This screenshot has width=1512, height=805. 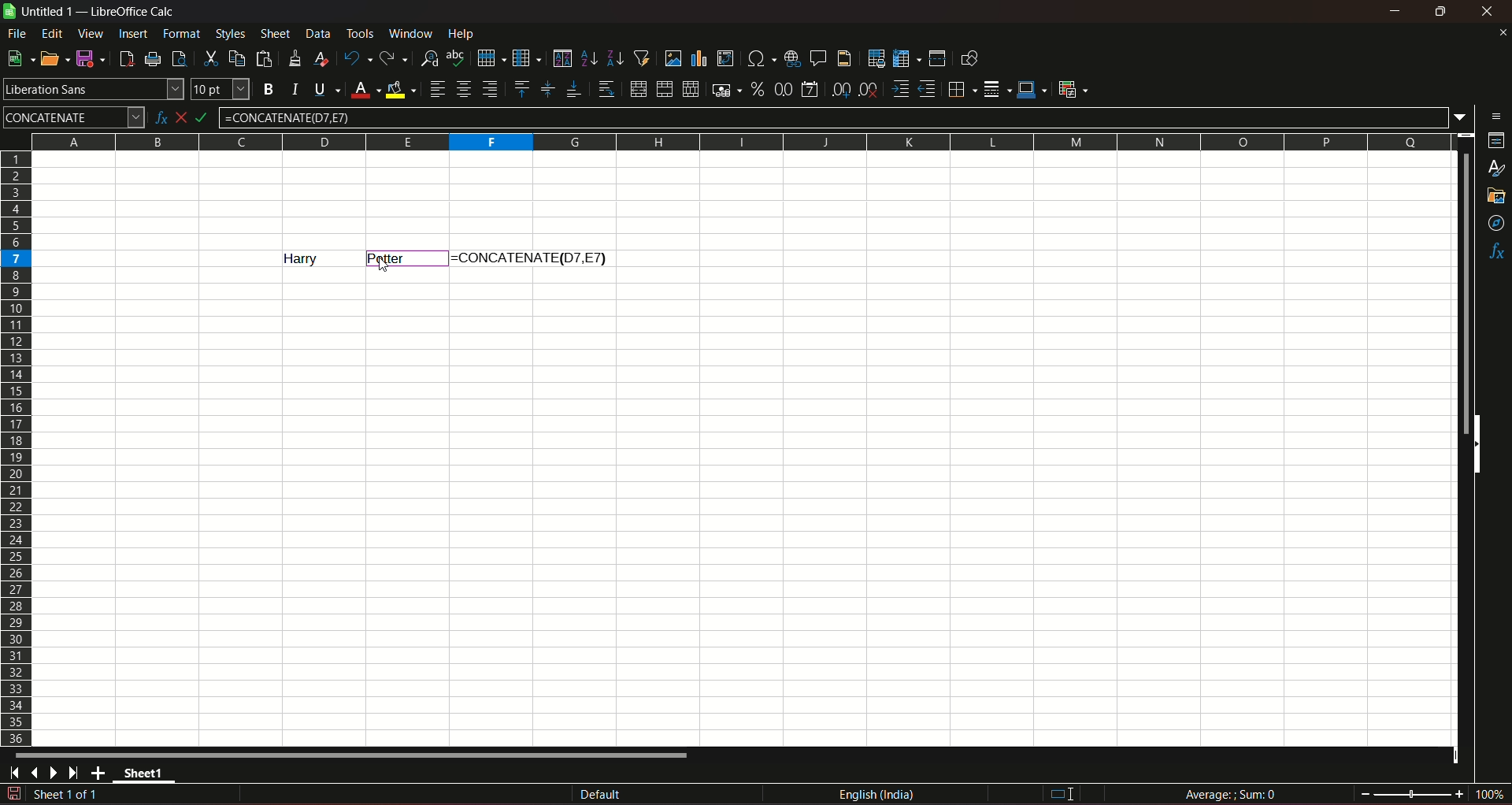 What do you see at coordinates (428, 57) in the screenshot?
I see `find and replace` at bounding box center [428, 57].